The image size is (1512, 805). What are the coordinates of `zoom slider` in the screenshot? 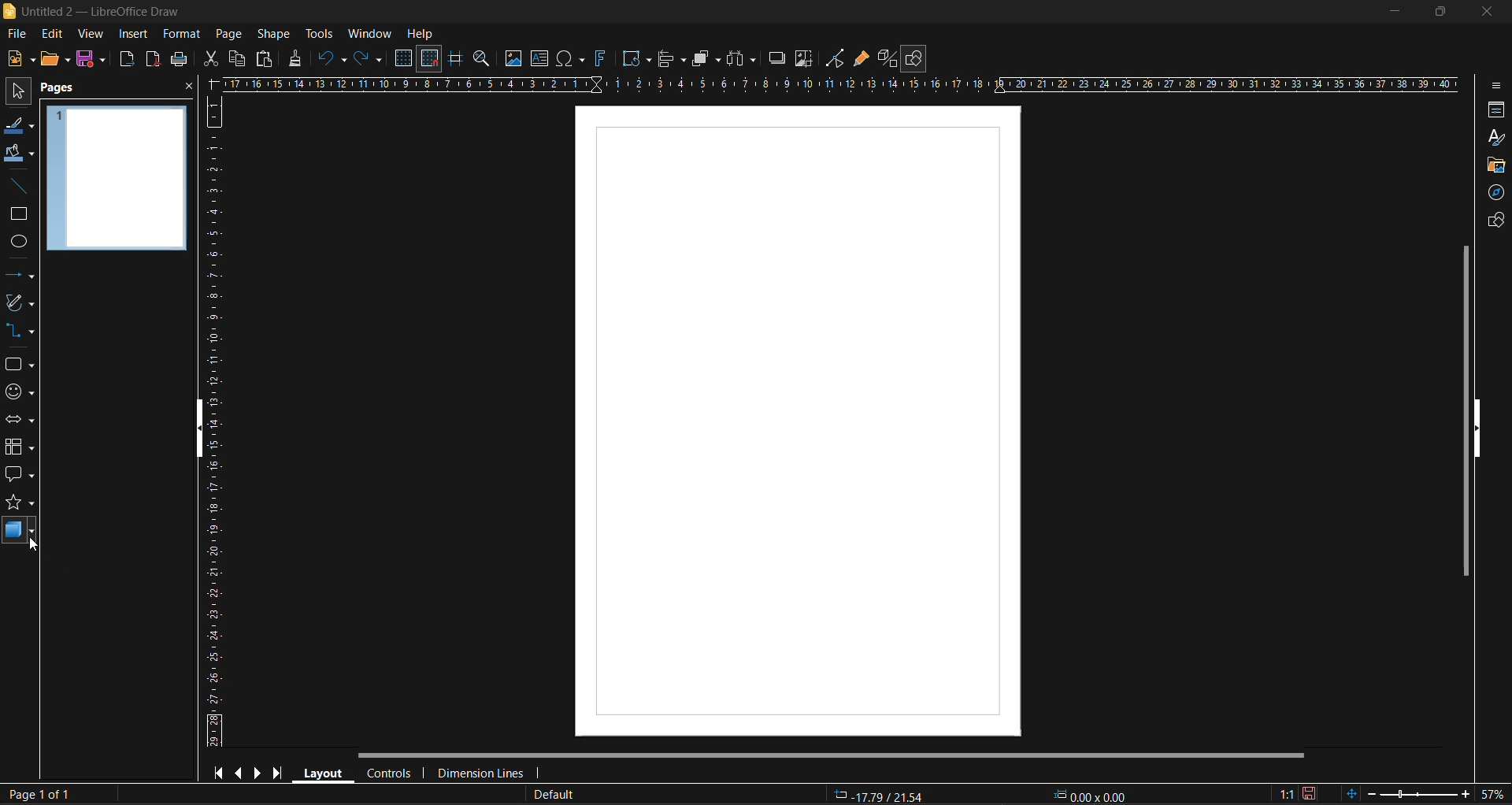 It's located at (1417, 793).